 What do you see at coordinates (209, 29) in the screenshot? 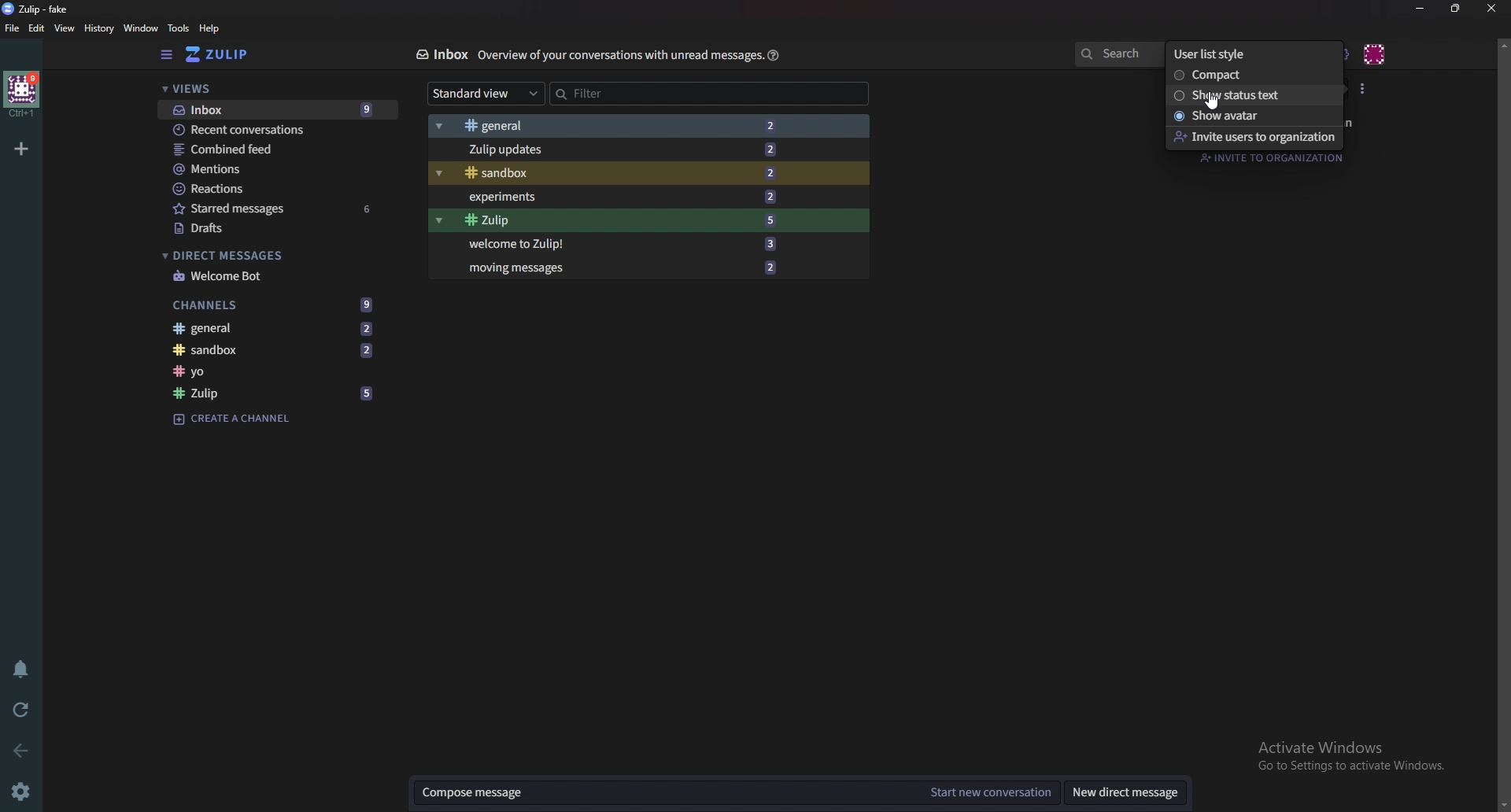
I see `help` at bounding box center [209, 29].